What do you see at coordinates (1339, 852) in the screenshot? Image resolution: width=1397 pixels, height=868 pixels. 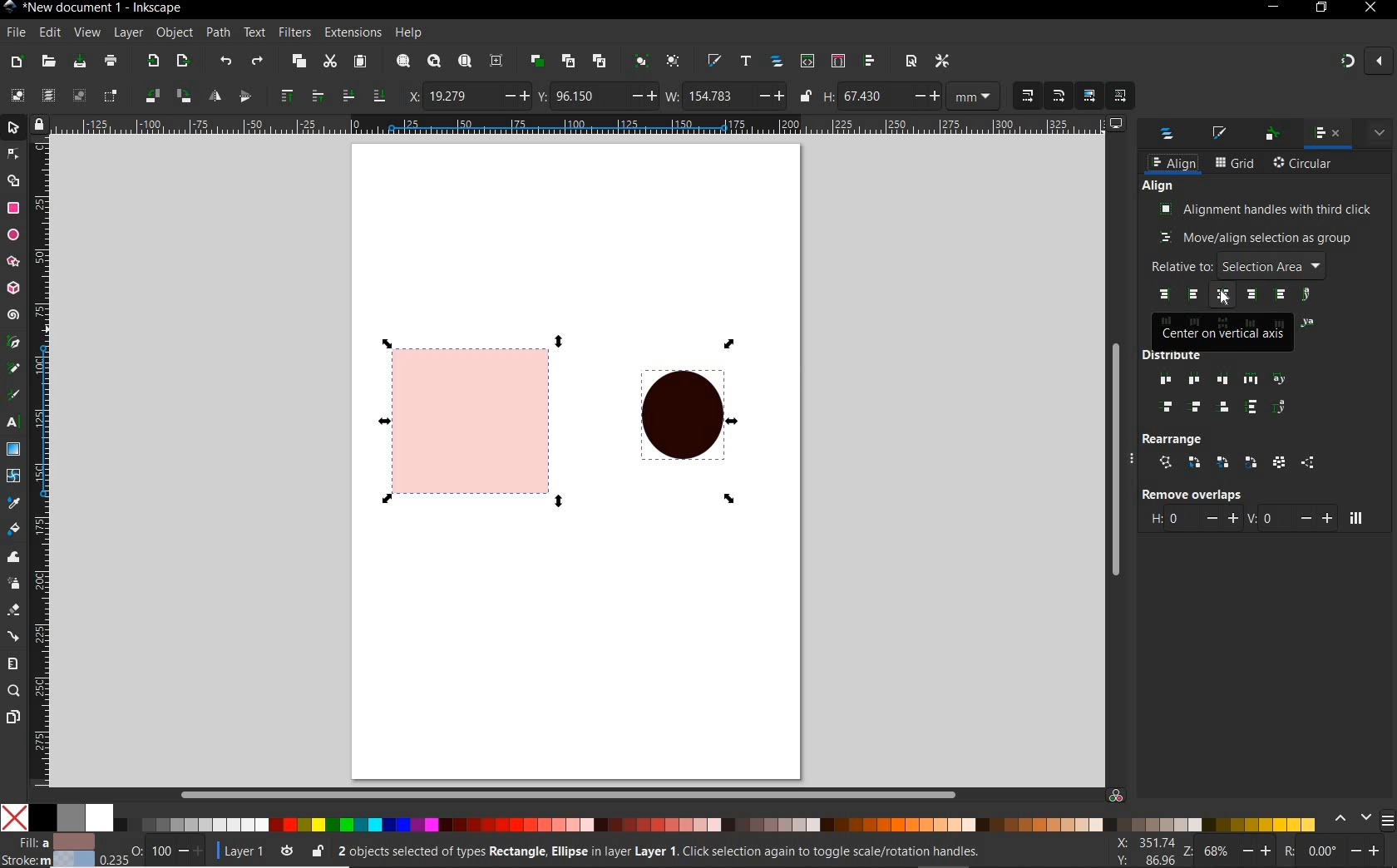 I see `rotate` at bounding box center [1339, 852].